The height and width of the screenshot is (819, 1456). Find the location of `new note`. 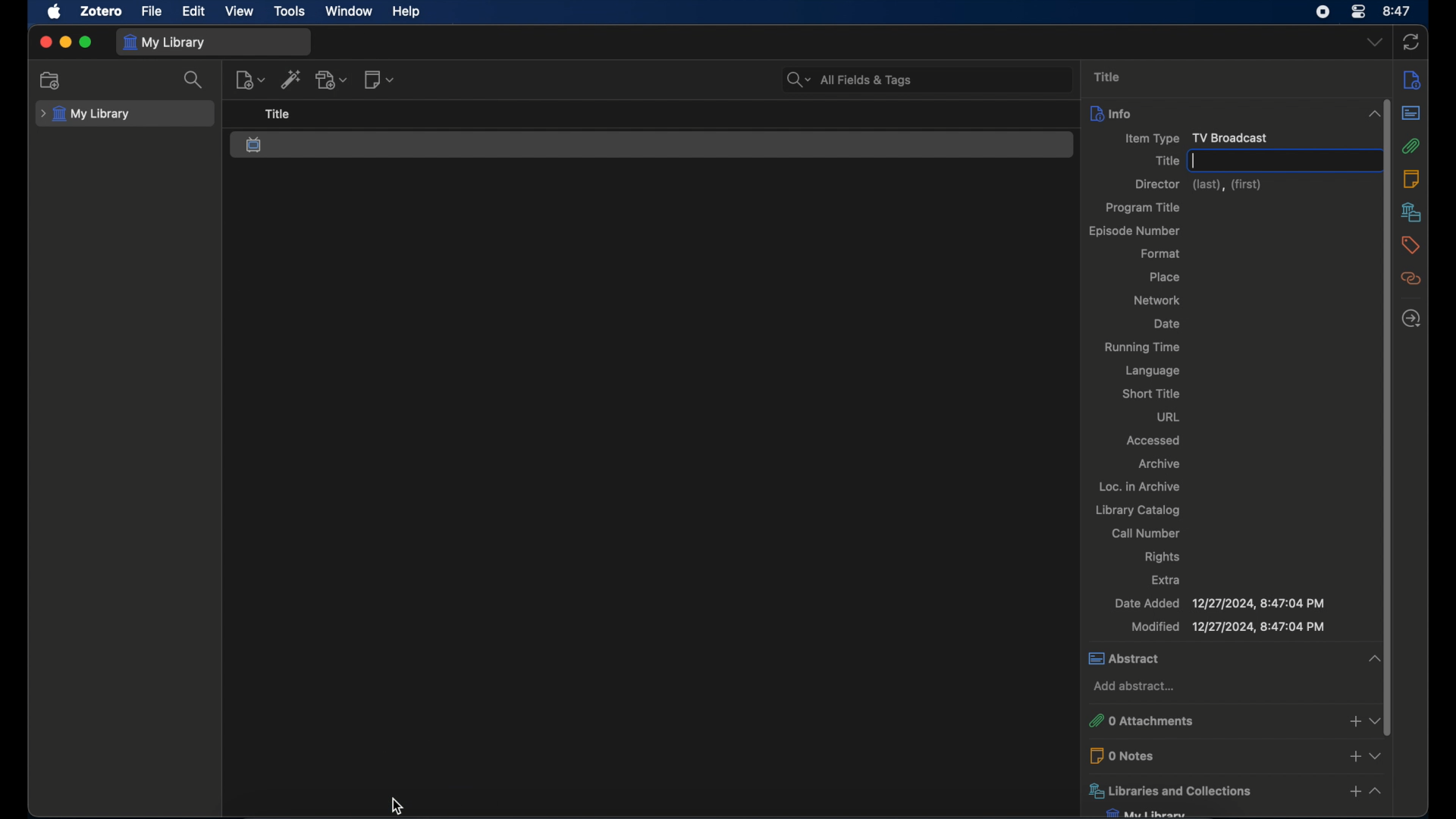

new note is located at coordinates (378, 80).